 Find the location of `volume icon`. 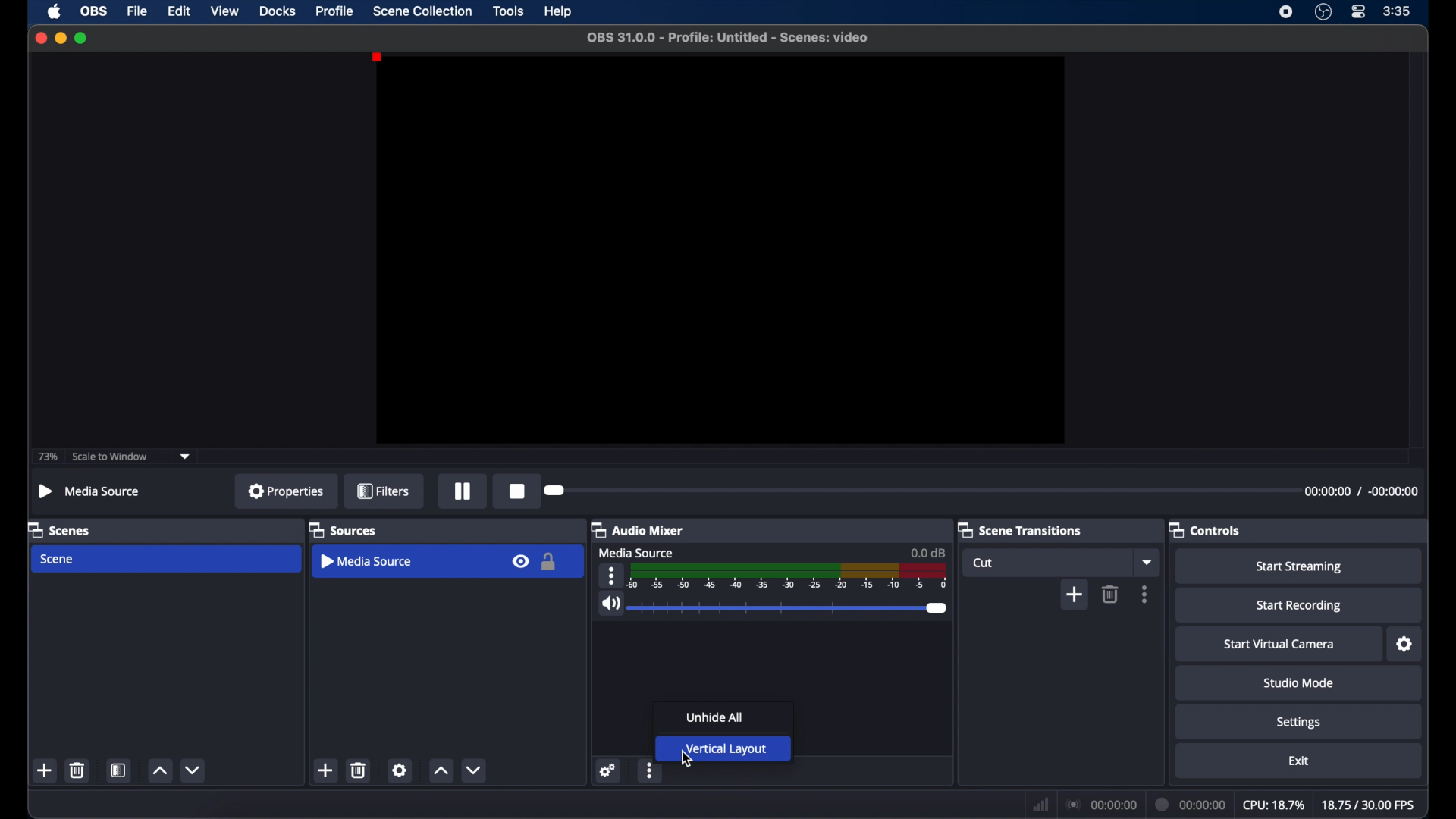

volume icon is located at coordinates (609, 604).